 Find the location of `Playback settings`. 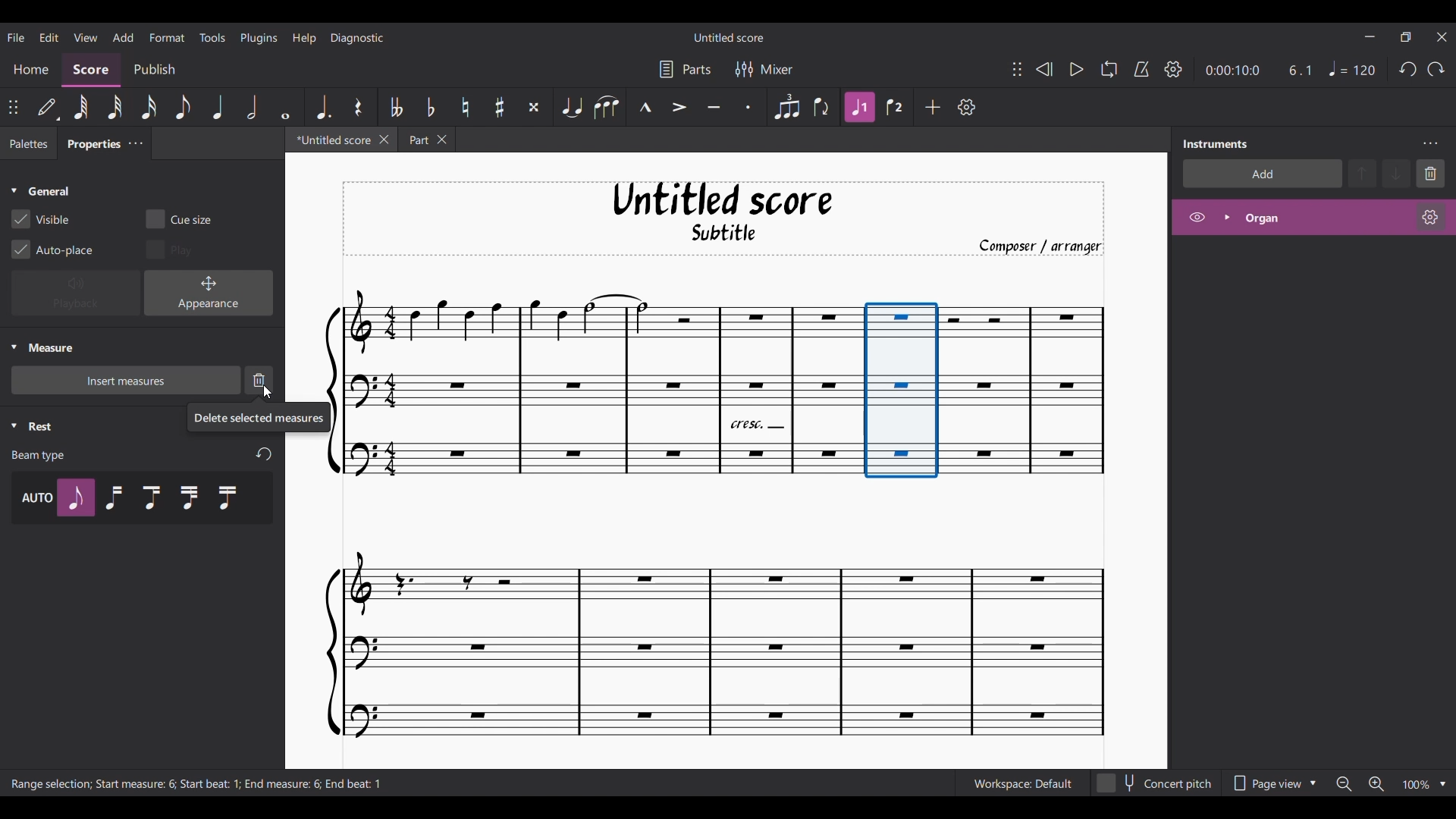

Playback settings is located at coordinates (1173, 68).